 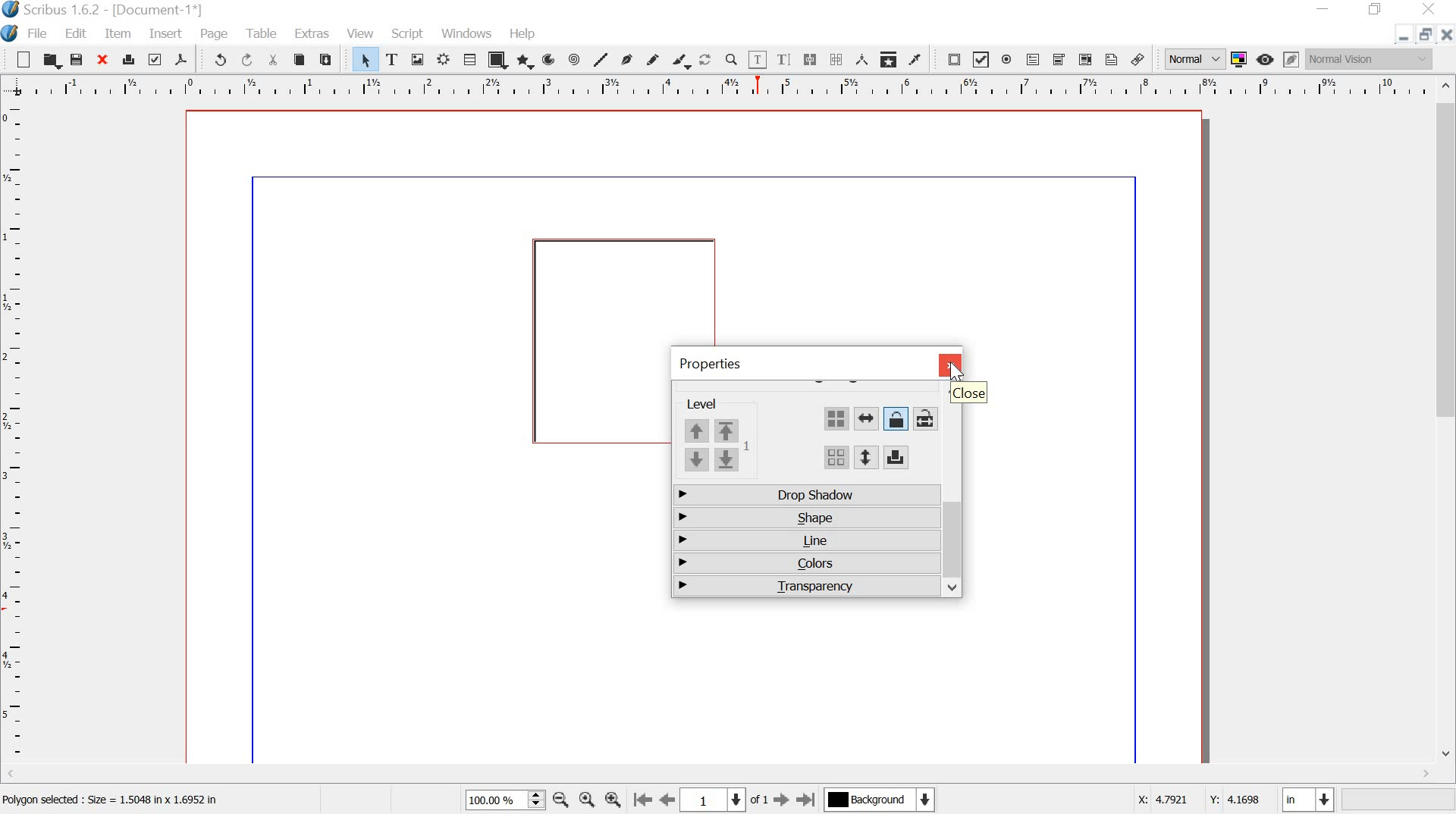 What do you see at coordinates (1266, 59) in the screenshot?
I see `preview mode` at bounding box center [1266, 59].